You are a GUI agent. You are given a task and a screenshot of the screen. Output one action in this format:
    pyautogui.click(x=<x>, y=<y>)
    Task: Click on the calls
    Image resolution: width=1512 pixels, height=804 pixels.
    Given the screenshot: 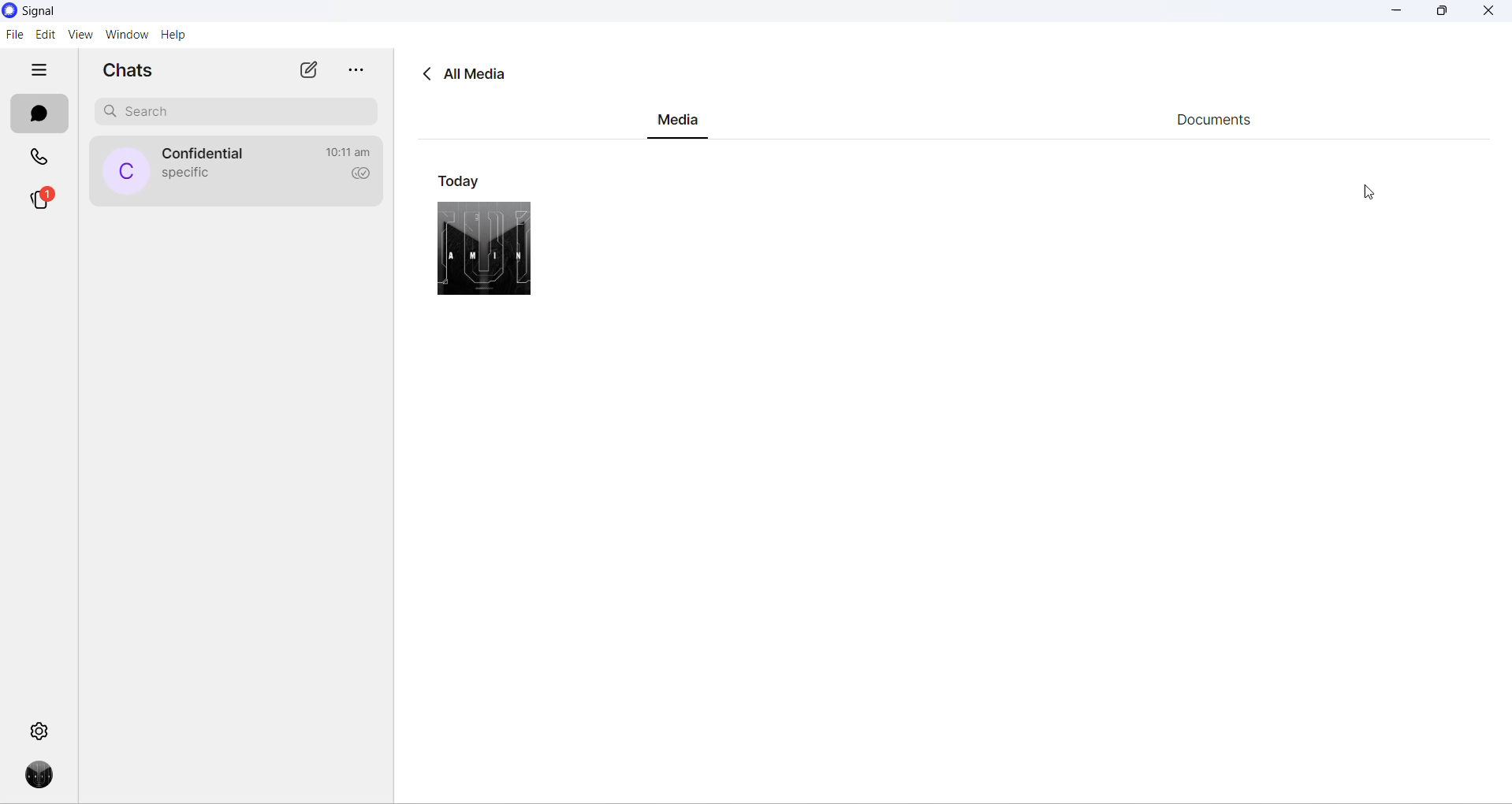 What is the action you would take?
    pyautogui.click(x=39, y=155)
    